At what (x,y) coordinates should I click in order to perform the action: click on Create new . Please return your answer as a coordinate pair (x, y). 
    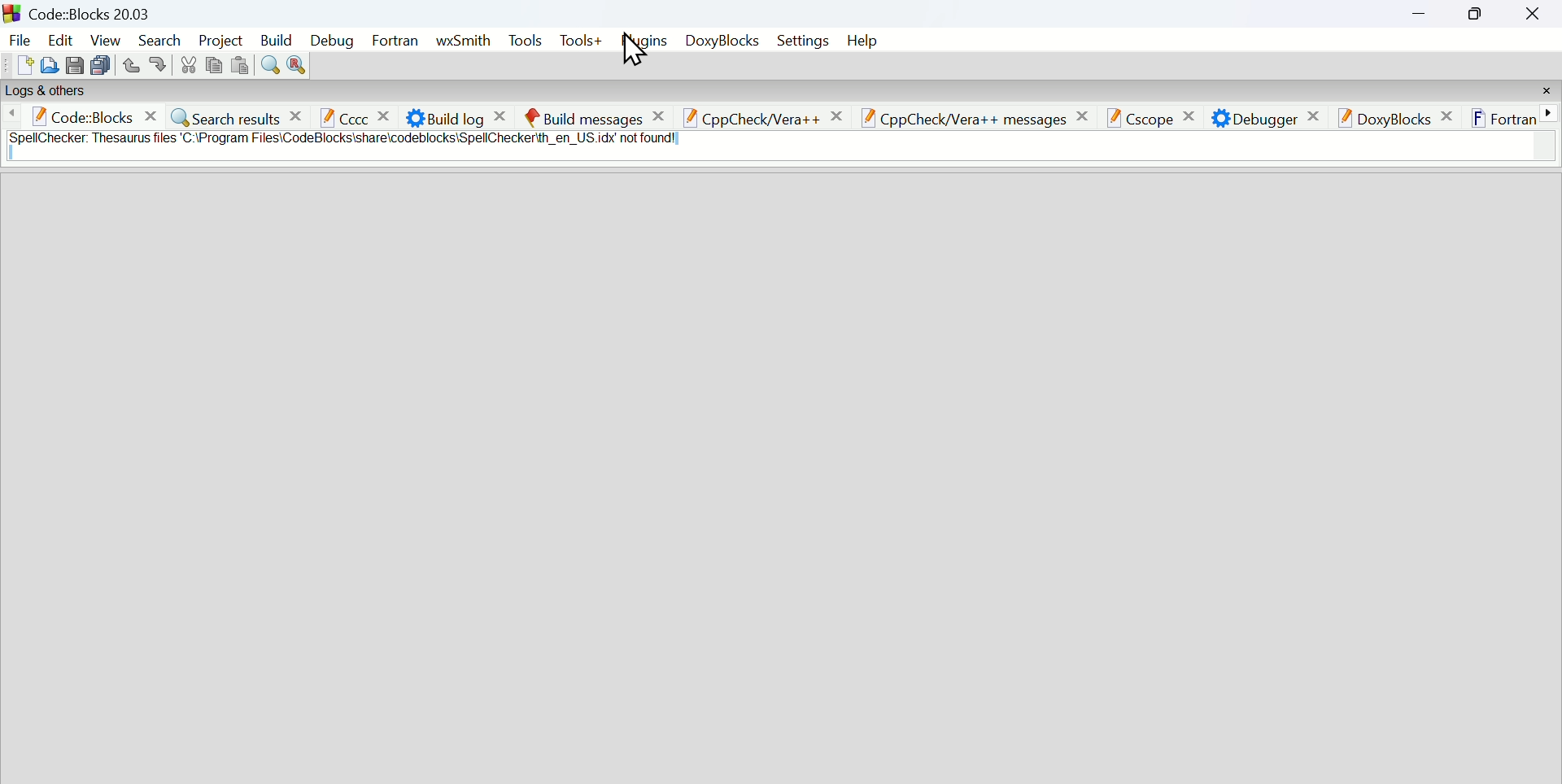
    Looking at the image, I should click on (25, 64).